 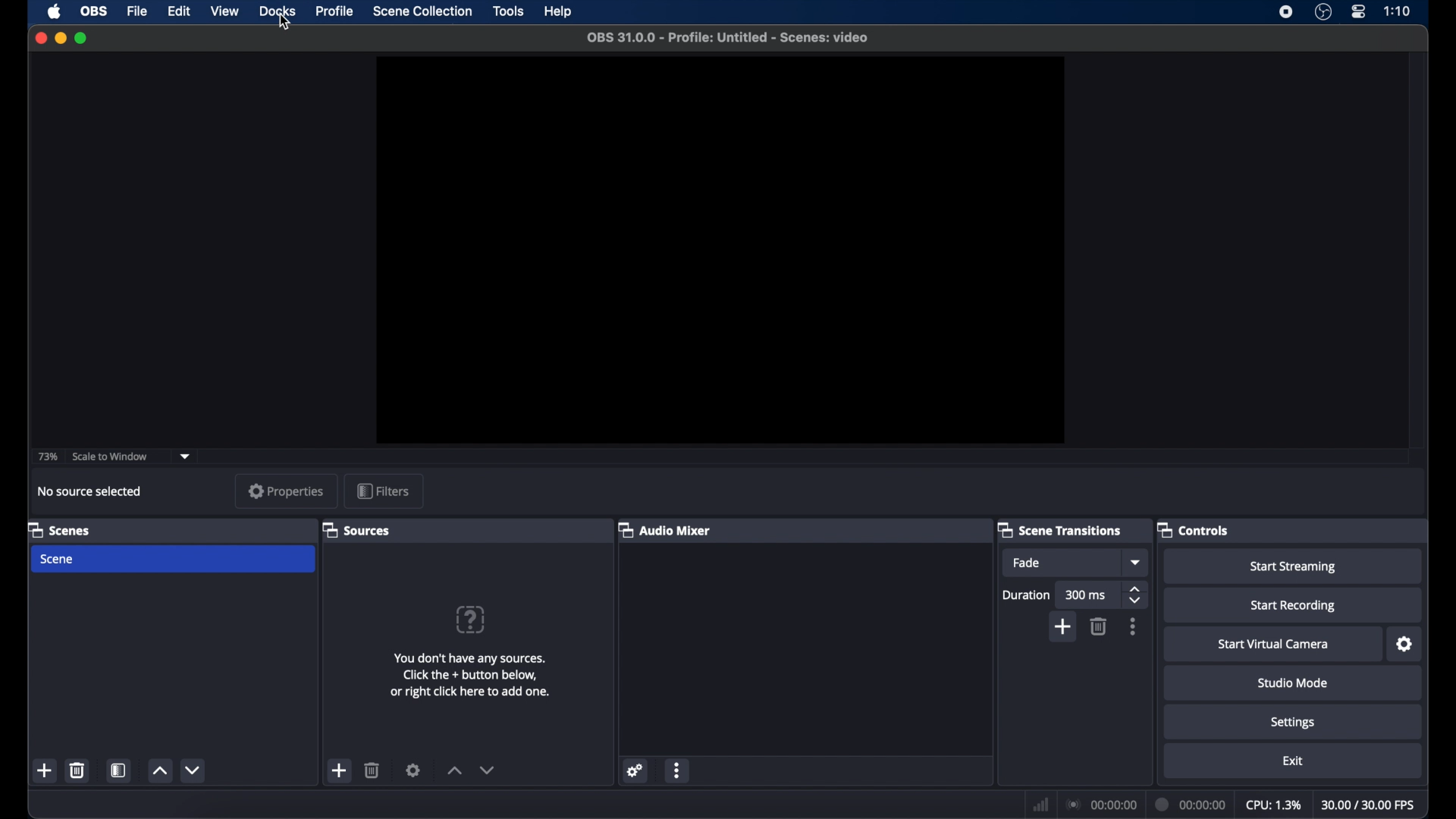 I want to click on audio mixer, so click(x=669, y=529).